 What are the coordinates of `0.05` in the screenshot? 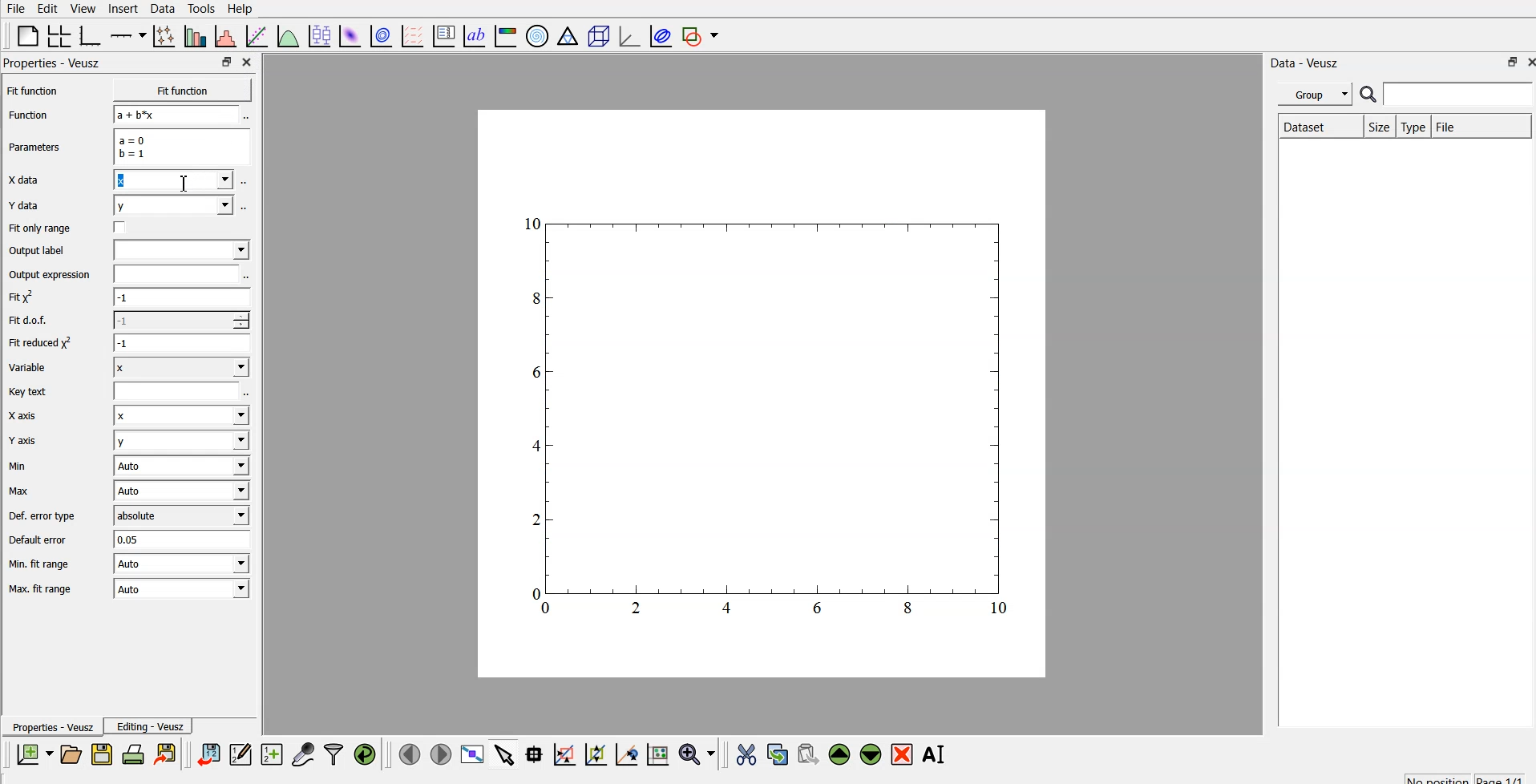 It's located at (180, 540).